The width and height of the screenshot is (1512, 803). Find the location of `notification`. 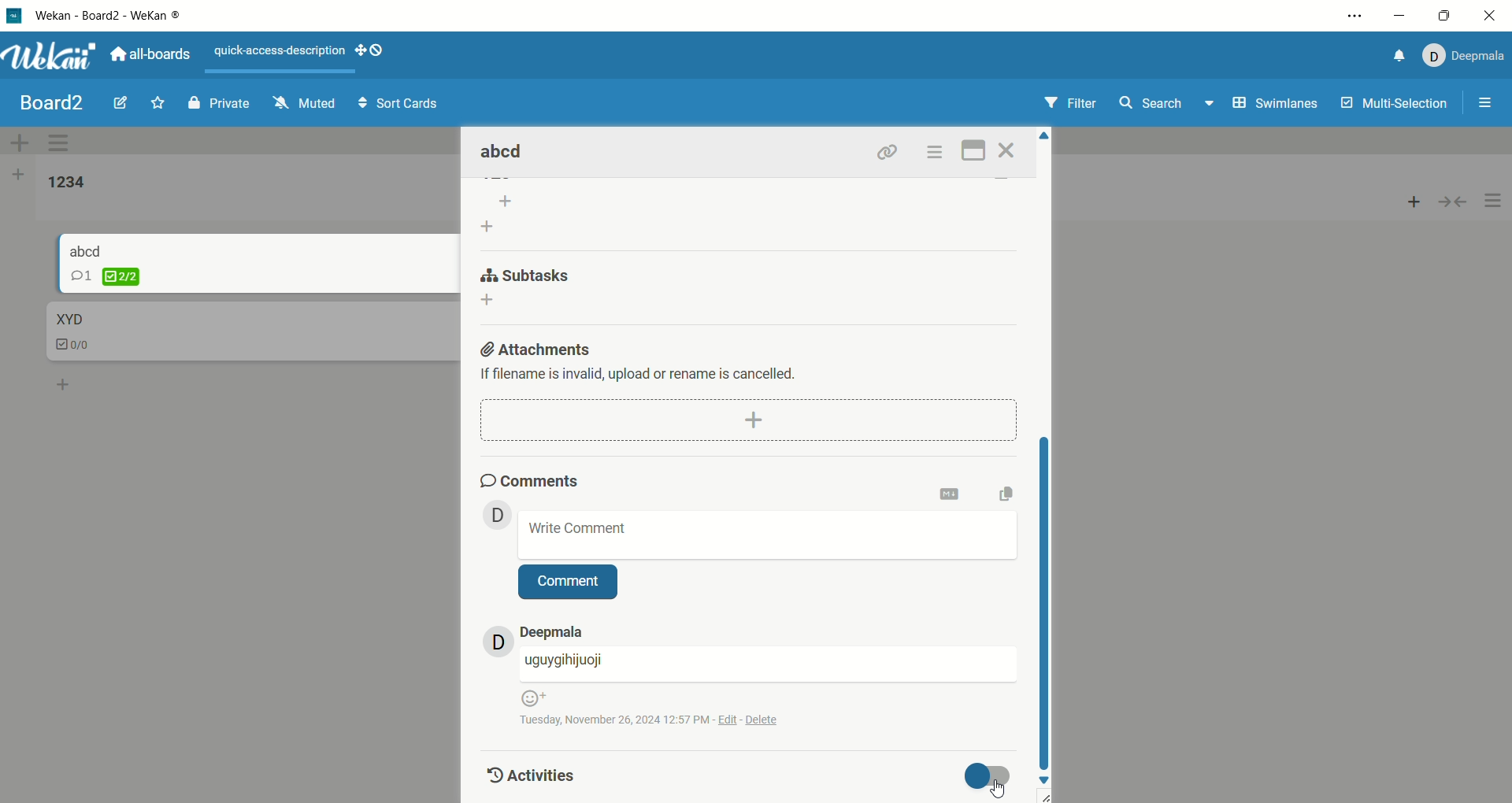

notification is located at coordinates (1395, 58).